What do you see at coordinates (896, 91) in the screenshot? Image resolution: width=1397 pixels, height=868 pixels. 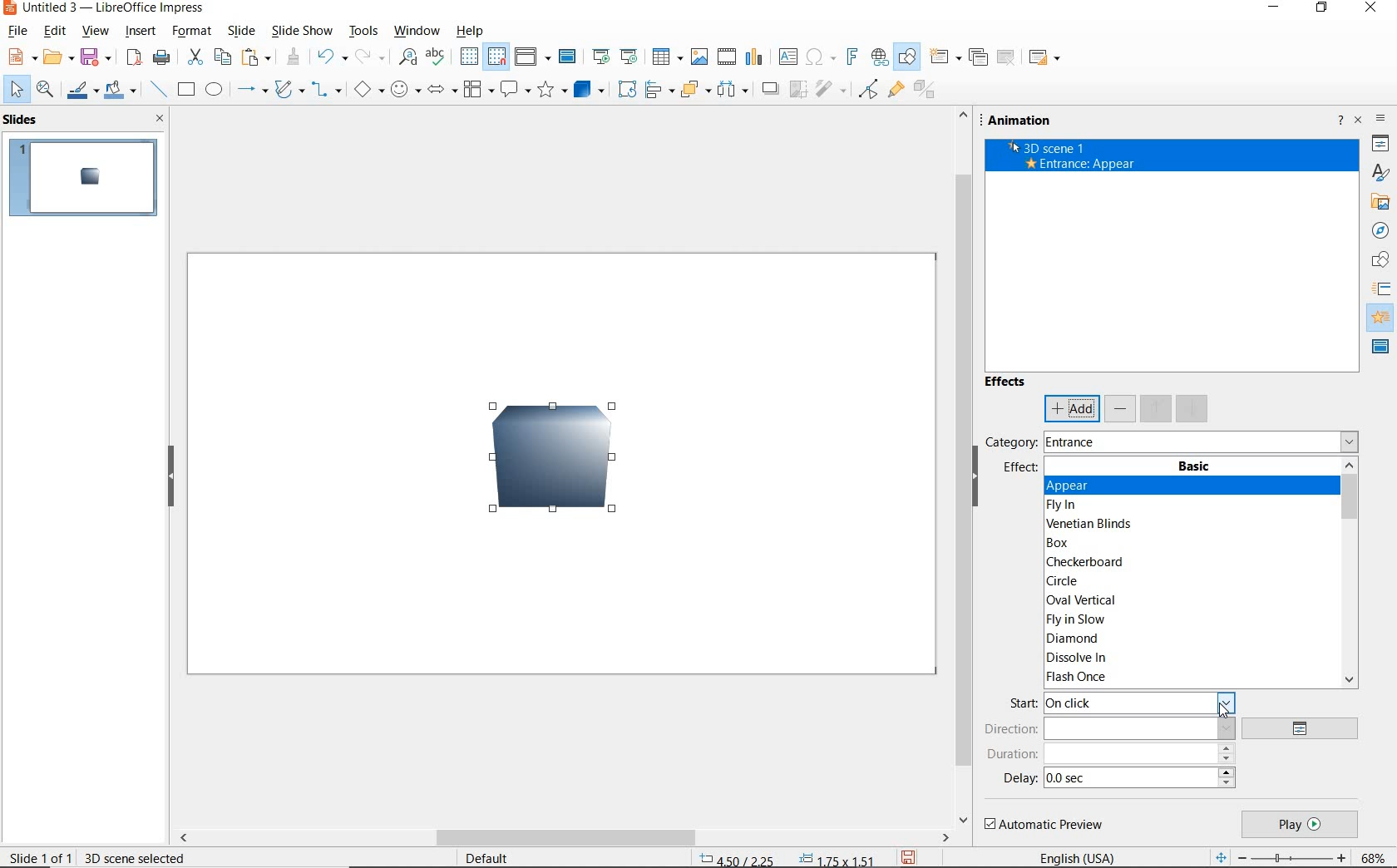 I see `show gluepoint functions` at bounding box center [896, 91].